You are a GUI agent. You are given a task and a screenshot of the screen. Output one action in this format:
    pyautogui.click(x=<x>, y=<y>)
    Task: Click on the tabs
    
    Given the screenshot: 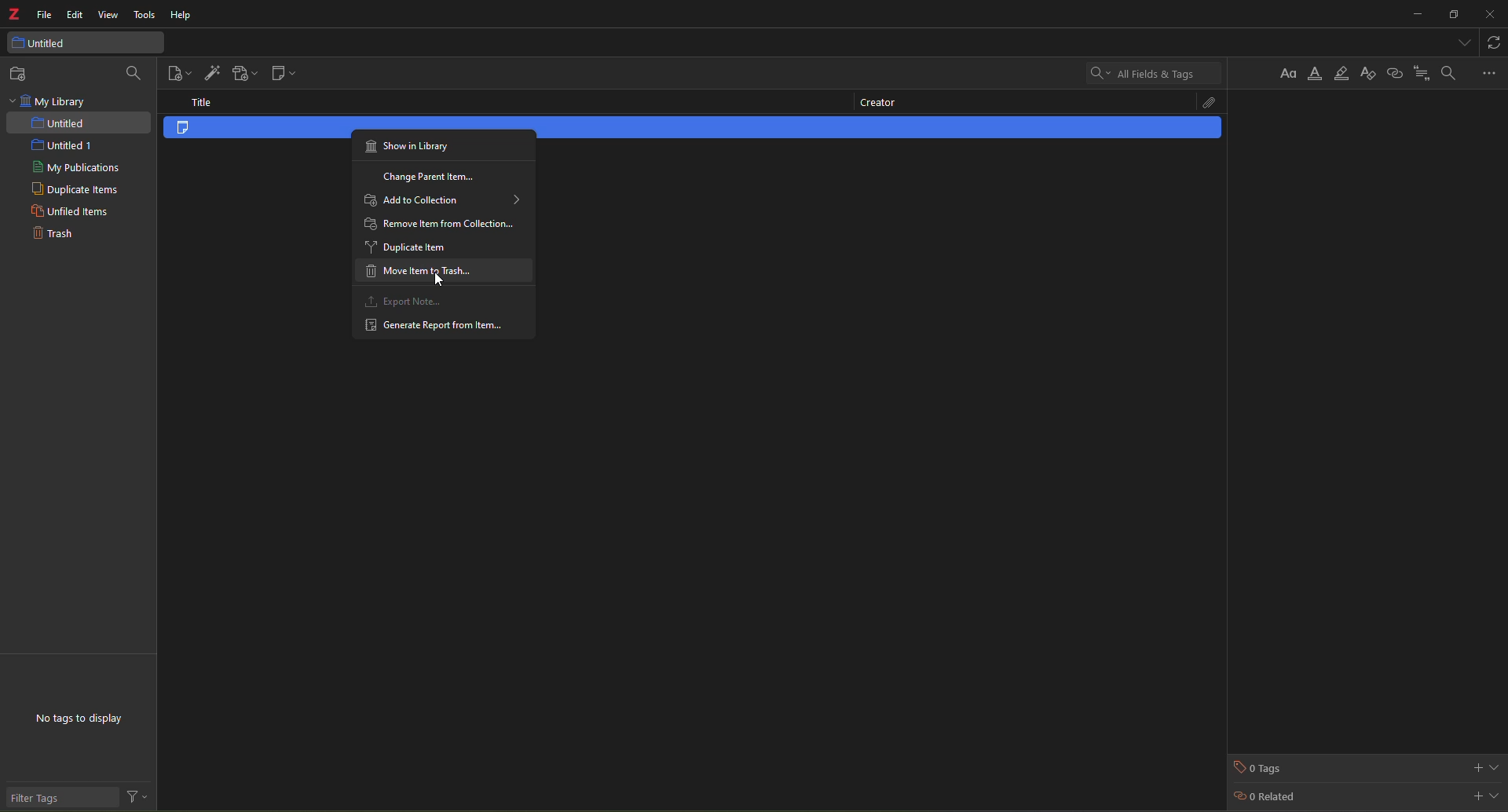 What is the action you would take?
    pyautogui.click(x=1460, y=41)
    